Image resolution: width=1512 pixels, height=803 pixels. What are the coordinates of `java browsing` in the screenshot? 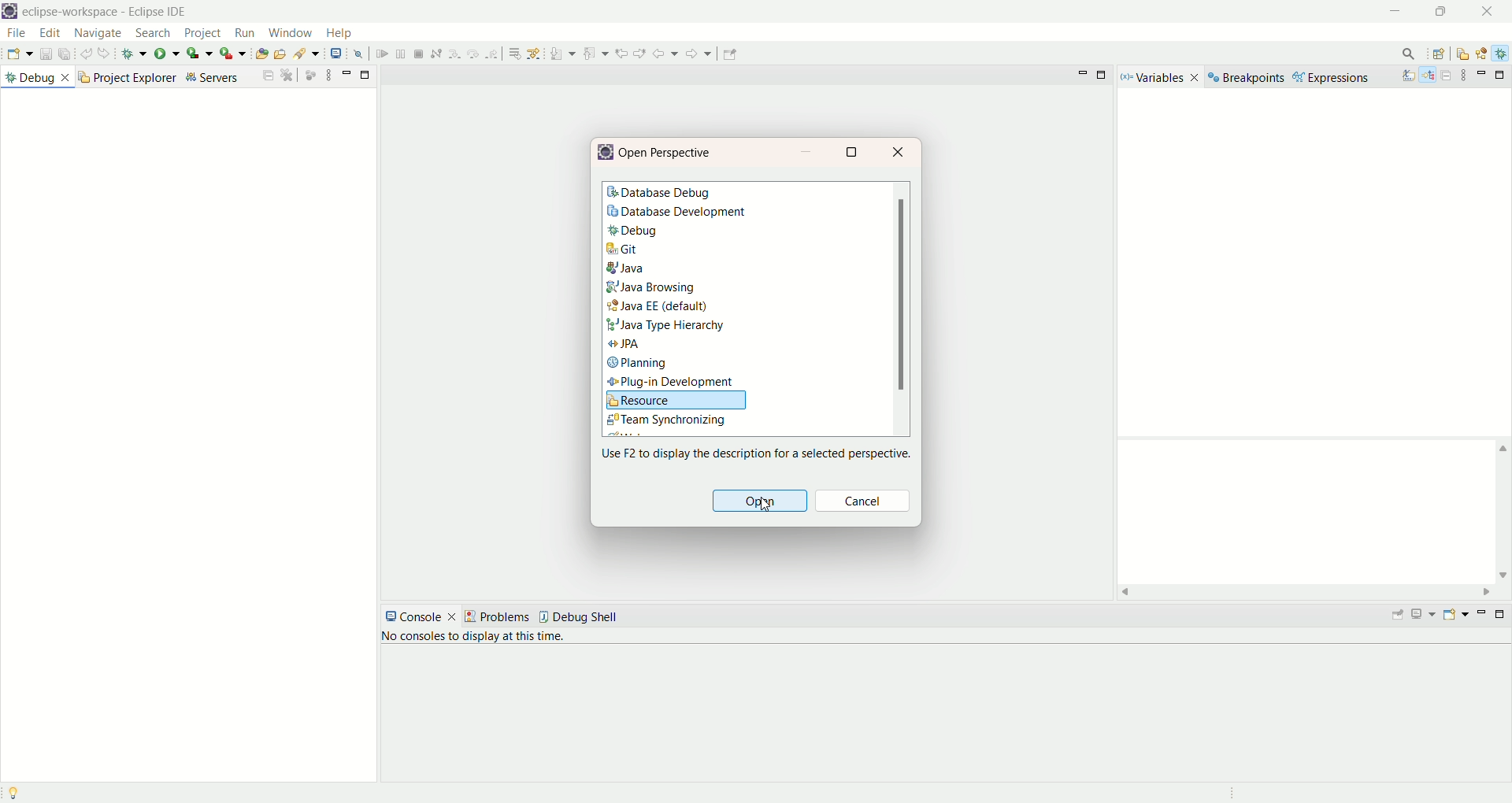 It's located at (651, 287).